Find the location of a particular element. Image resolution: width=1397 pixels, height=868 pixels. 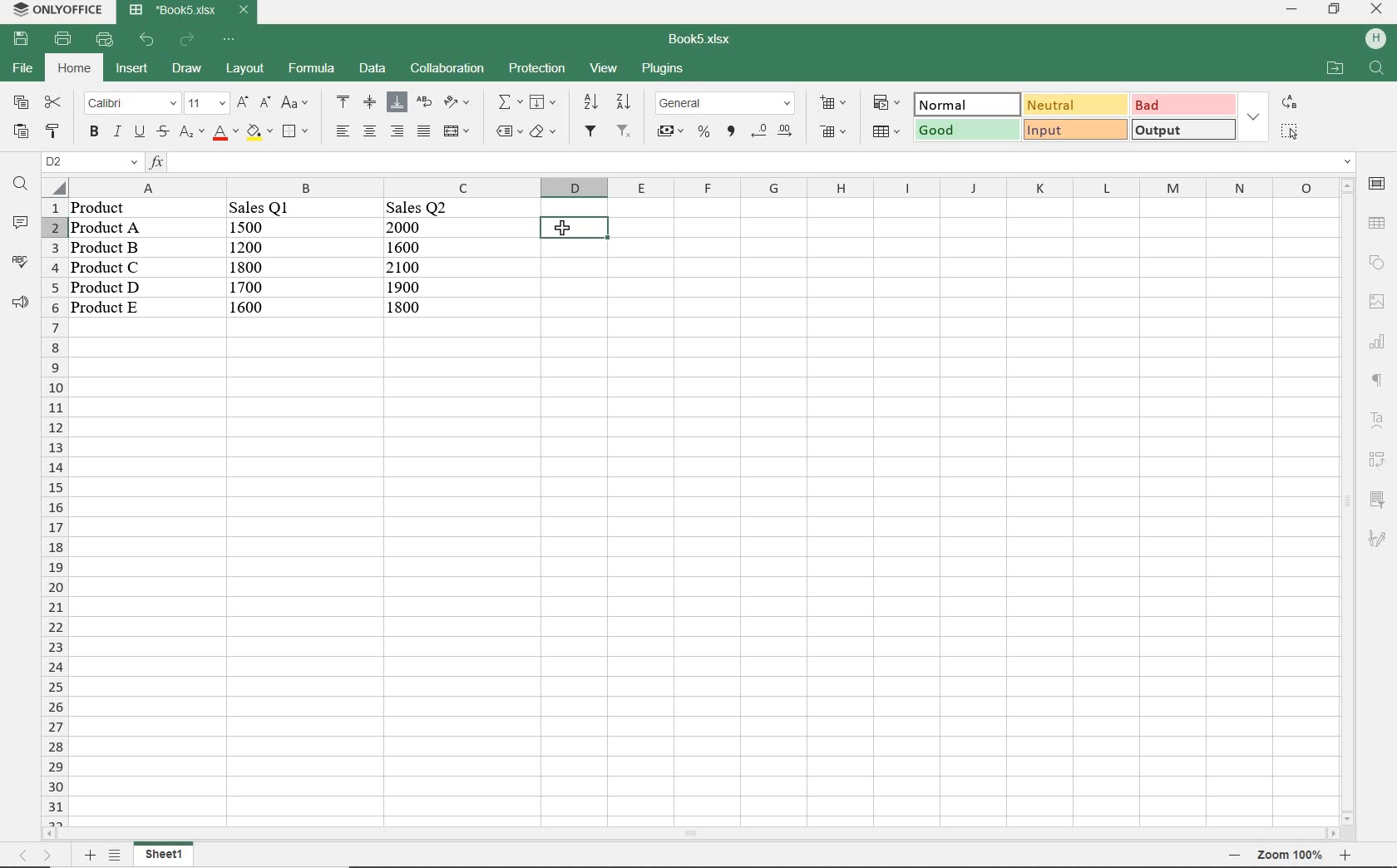

data is located at coordinates (268, 267).